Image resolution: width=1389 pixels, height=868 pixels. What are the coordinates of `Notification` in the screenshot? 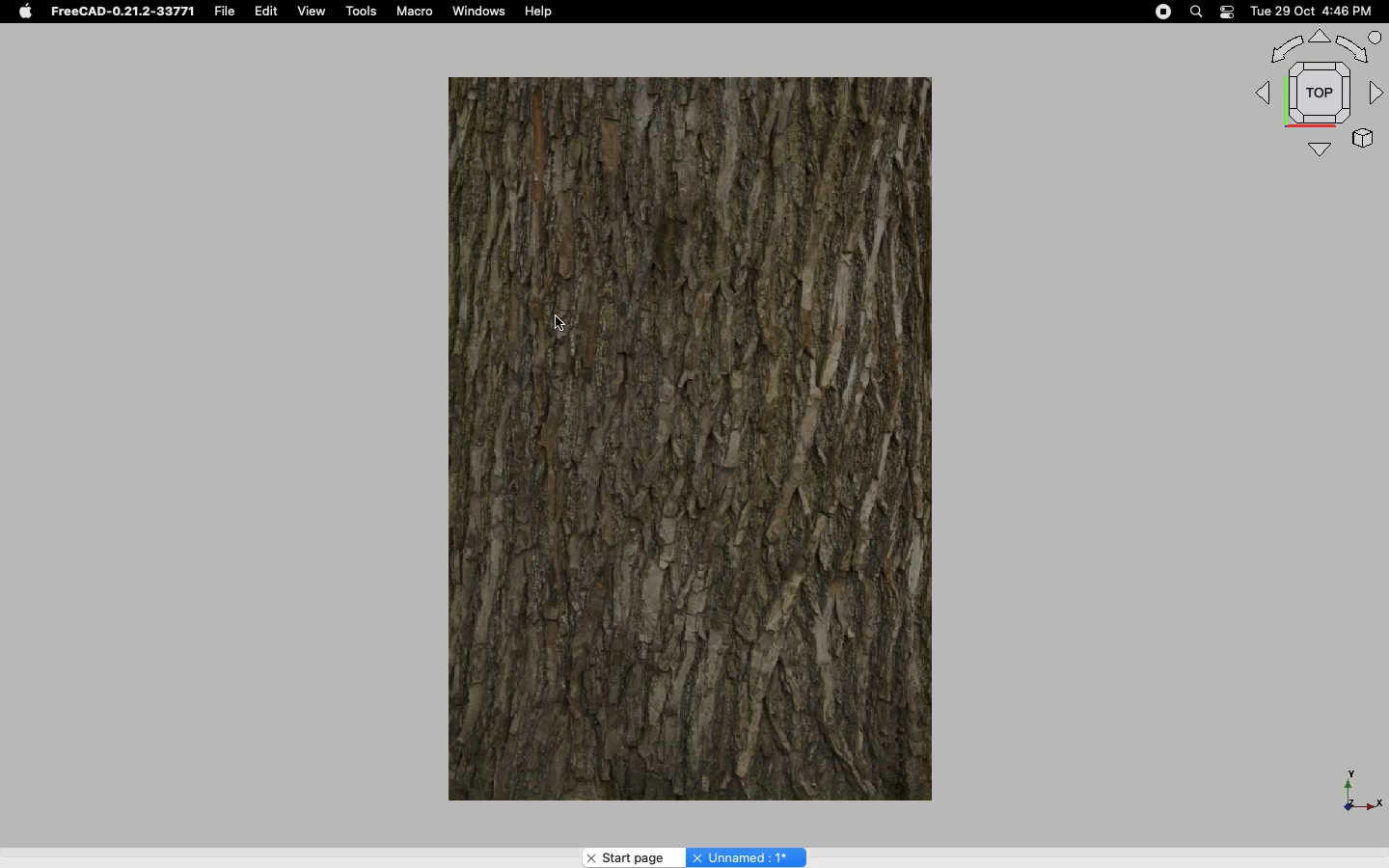 It's located at (1227, 12).